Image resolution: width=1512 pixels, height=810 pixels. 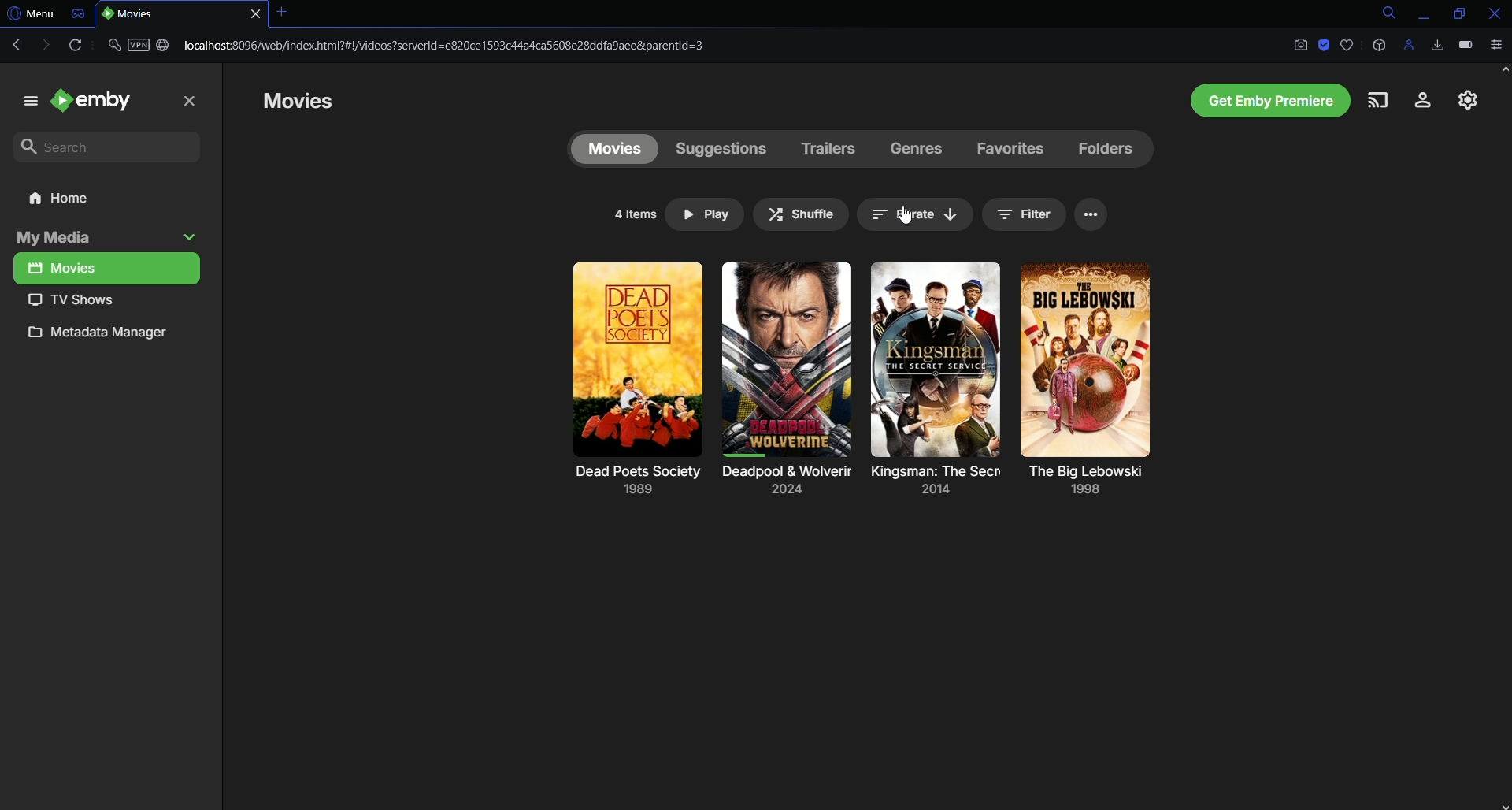 I want to click on Extensions, so click(x=1379, y=46).